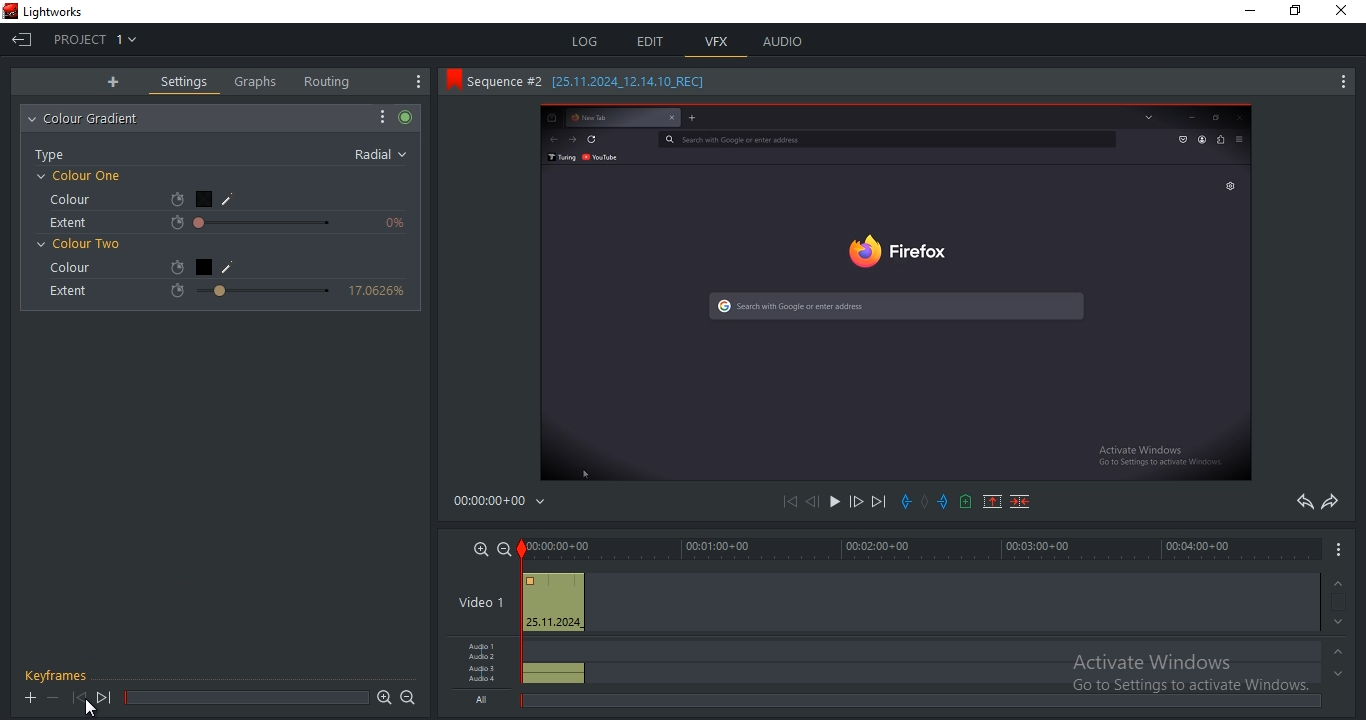  What do you see at coordinates (782, 40) in the screenshot?
I see `audio` at bounding box center [782, 40].